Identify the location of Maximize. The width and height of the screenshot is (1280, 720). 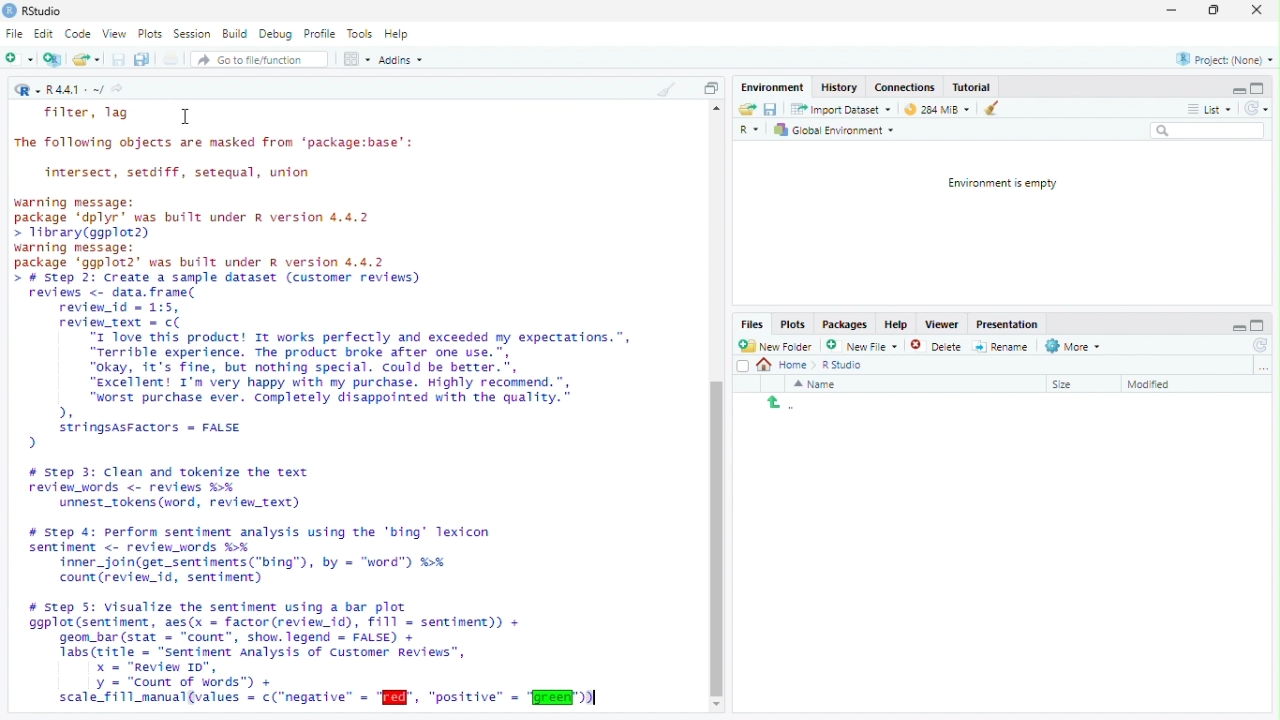
(1257, 88).